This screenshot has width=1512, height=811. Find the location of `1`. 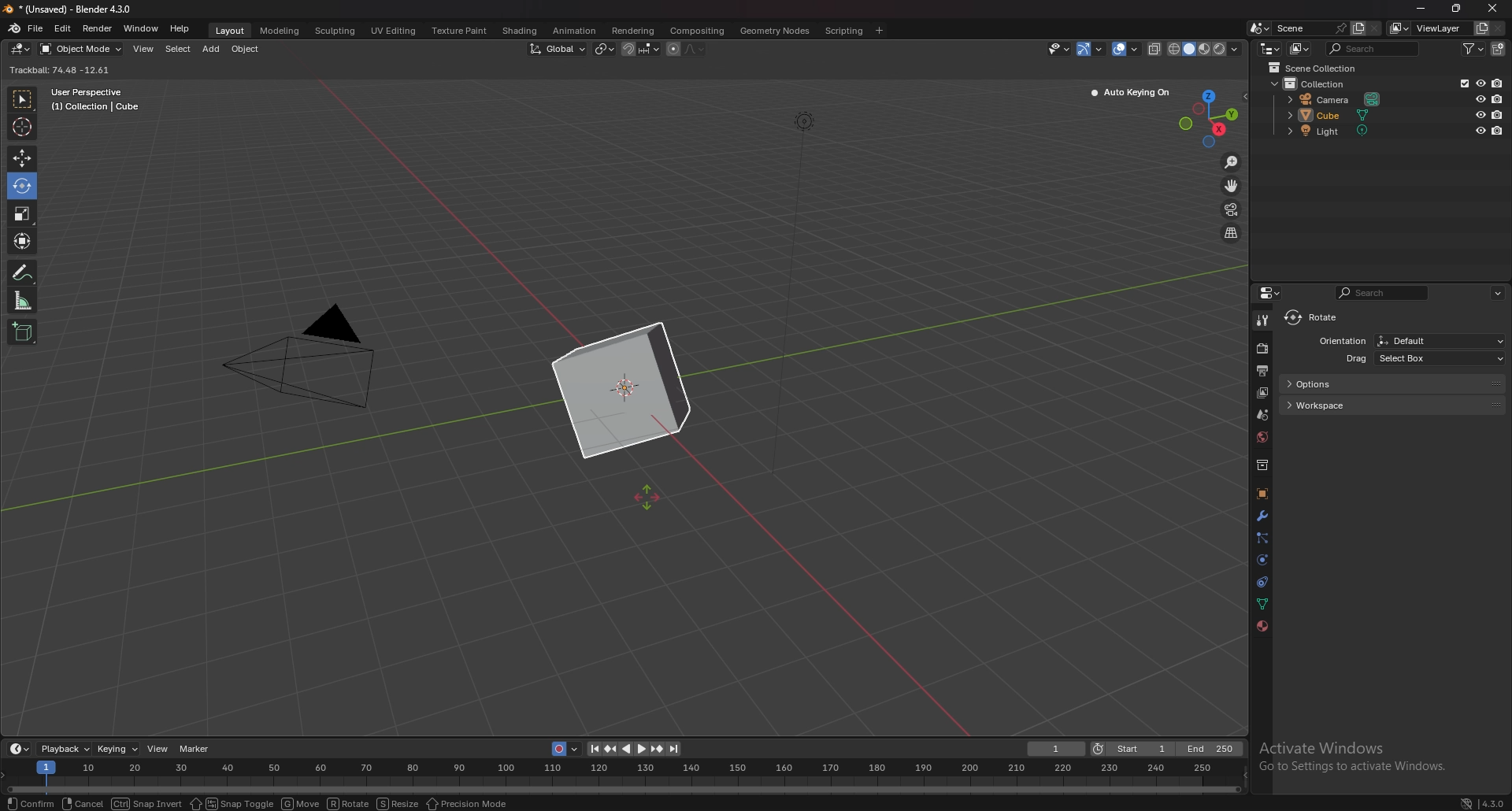

1 is located at coordinates (1055, 749).